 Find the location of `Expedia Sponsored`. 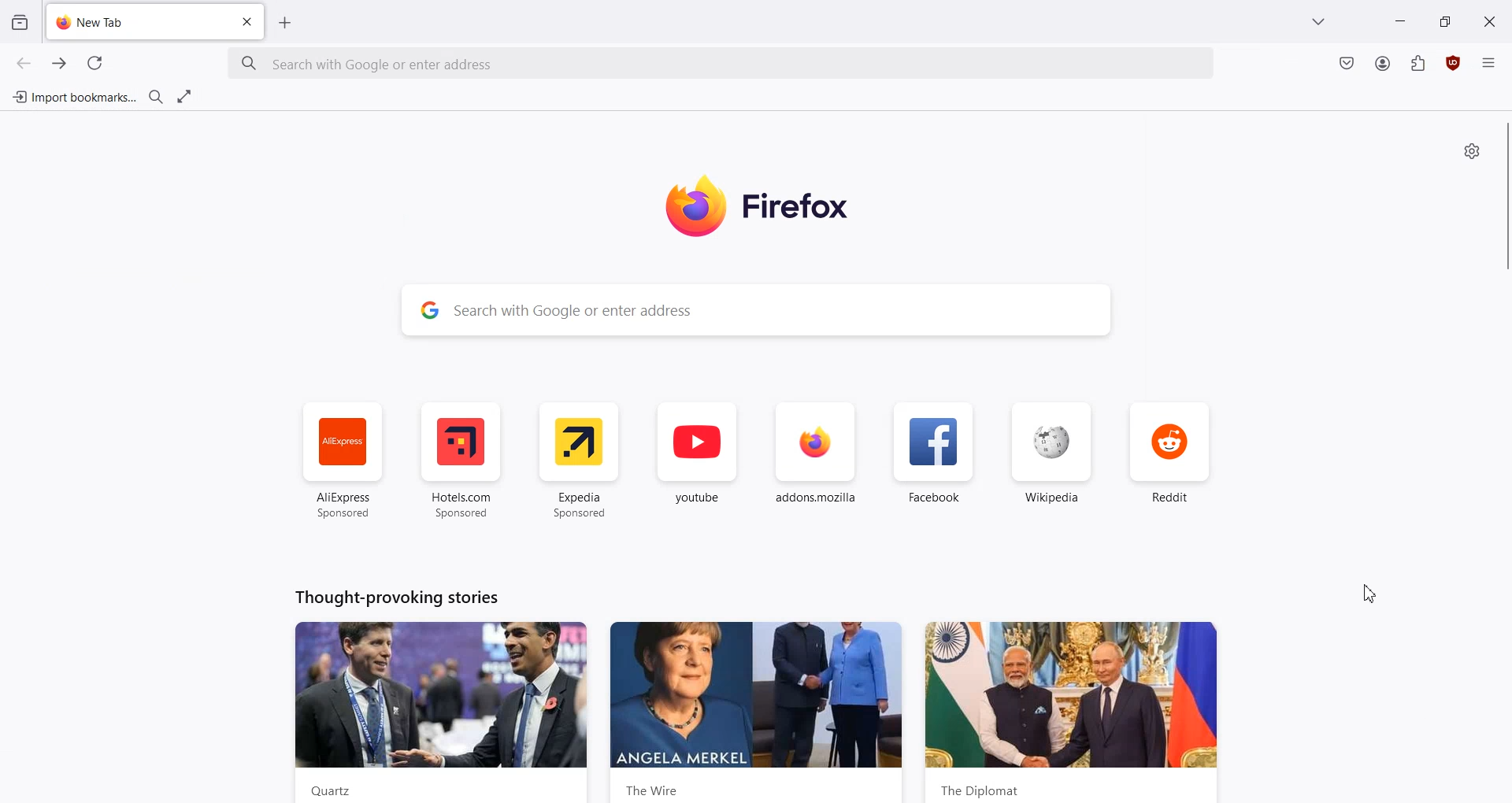

Expedia Sponsored is located at coordinates (580, 460).